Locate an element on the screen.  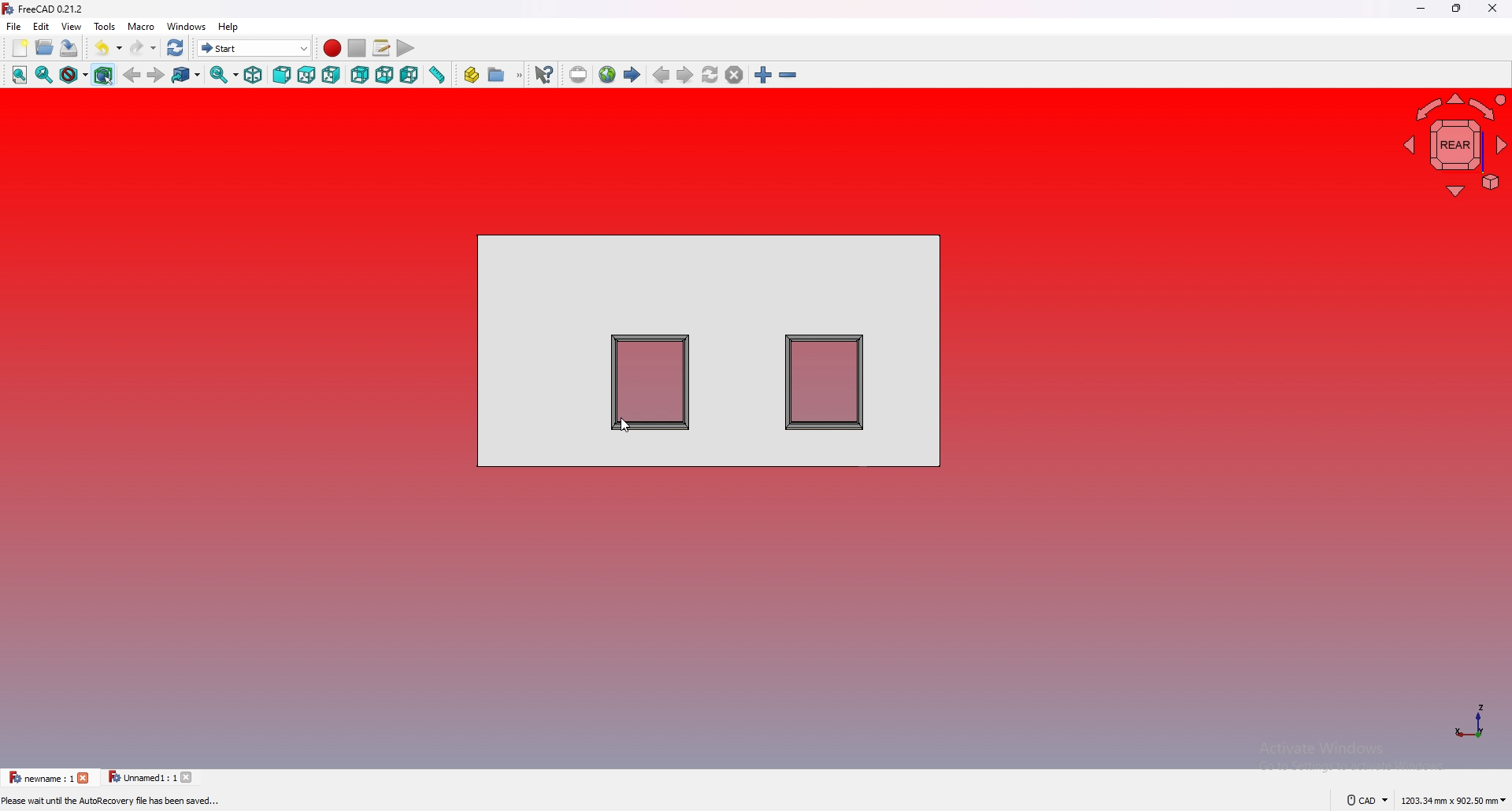
stop macros is located at coordinates (357, 48).